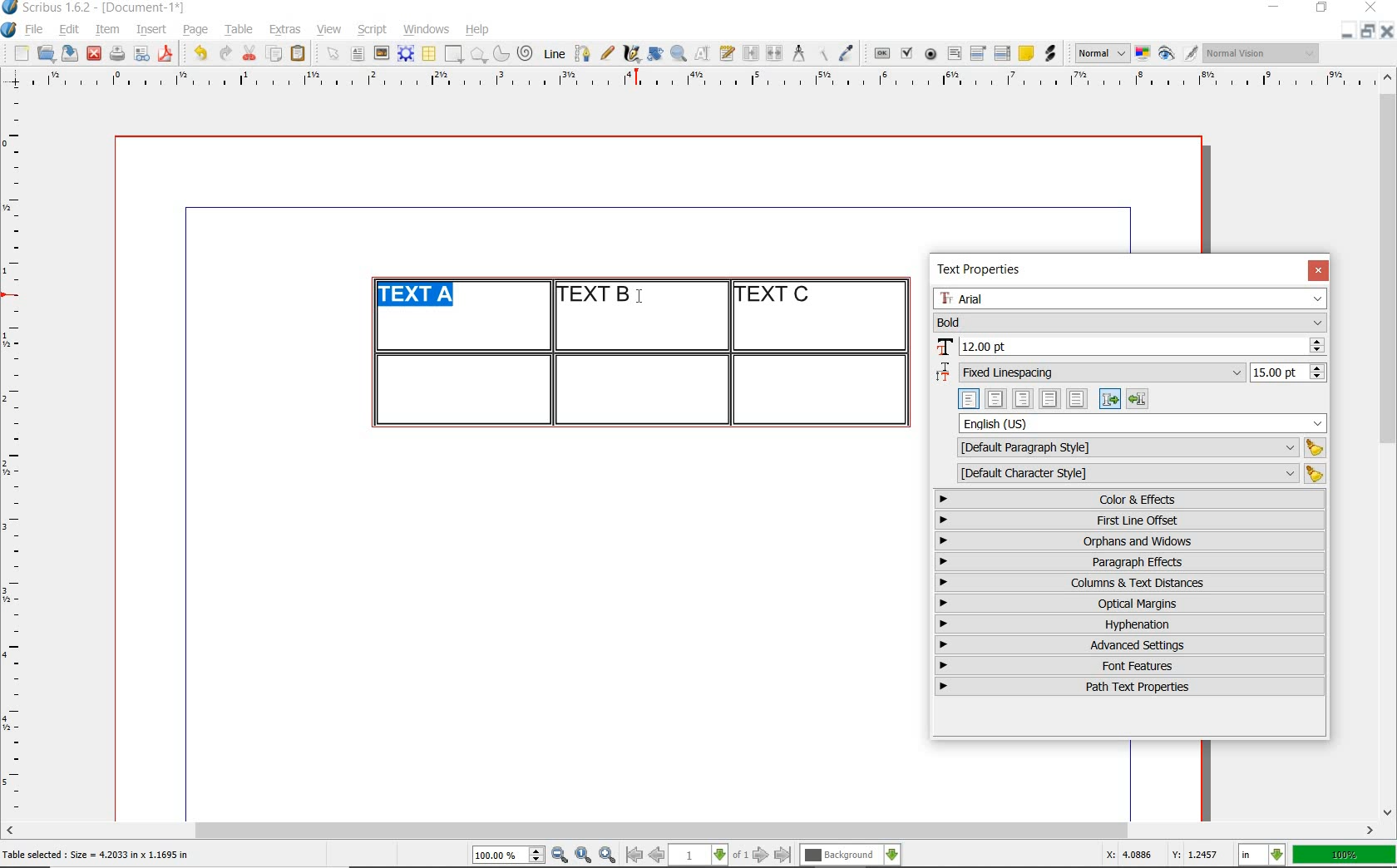 The width and height of the screenshot is (1397, 868). Describe the element at coordinates (357, 55) in the screenshot. I see `text frame` at that location.